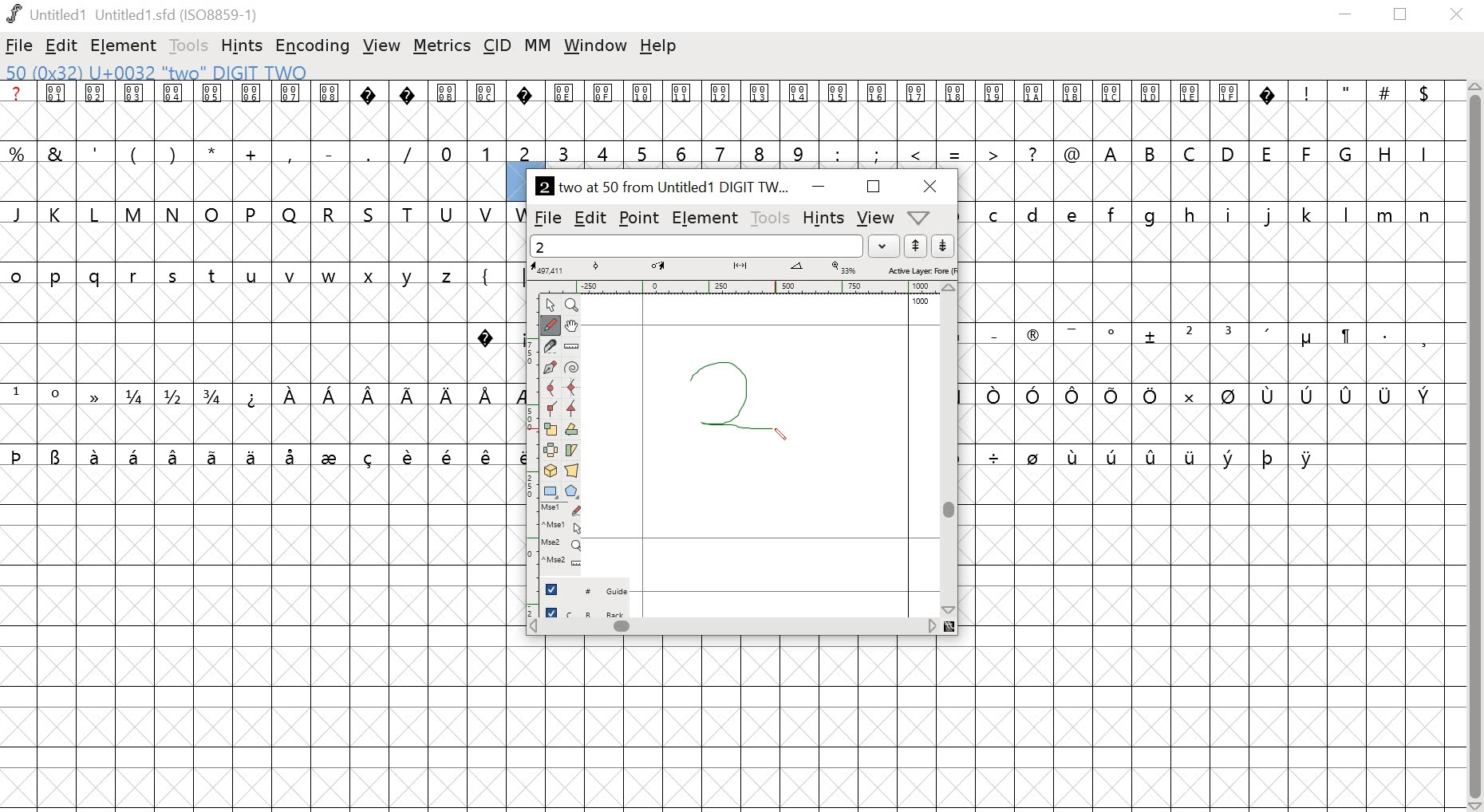 The height and width of the screenshot is (812, 1484). Describe the element at coordinates (874, 218) in the screenshot. I see `view` at that location.